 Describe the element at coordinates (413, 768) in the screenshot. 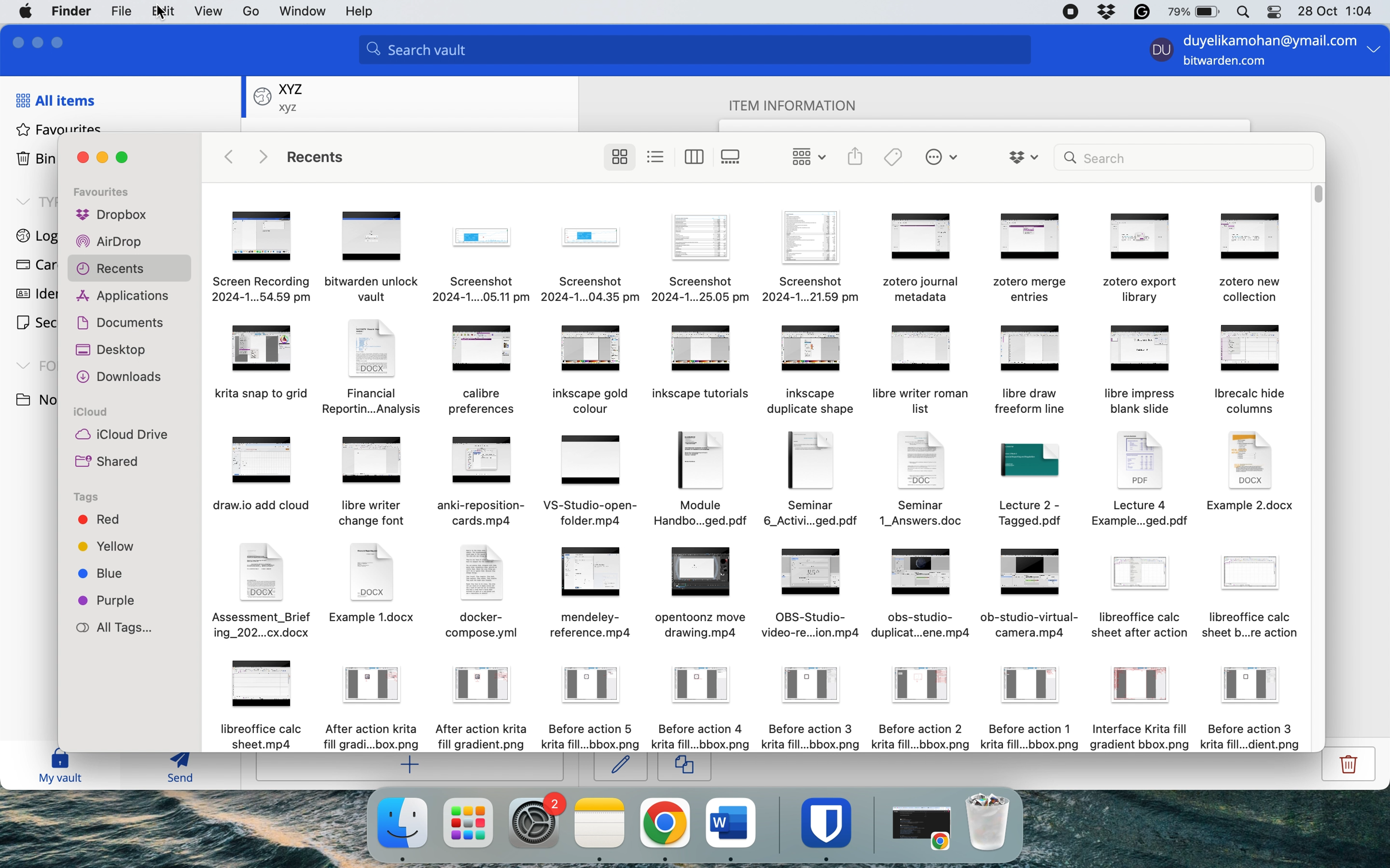

I see `add item` at that location.